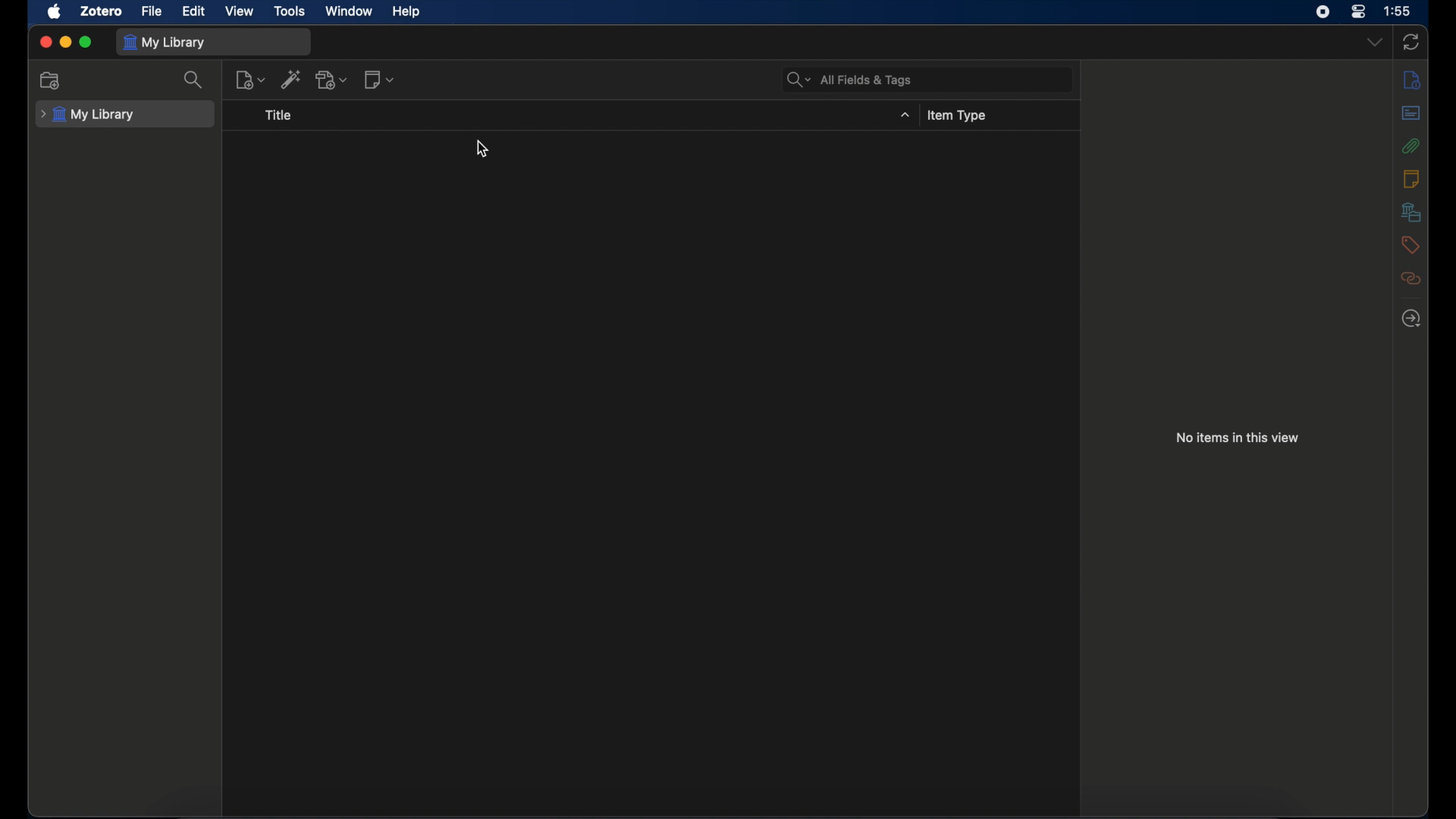  What do you see at coordinates (1411, 212) in the screenshot?
I see `libraries` at bounding box center [1411, 212].